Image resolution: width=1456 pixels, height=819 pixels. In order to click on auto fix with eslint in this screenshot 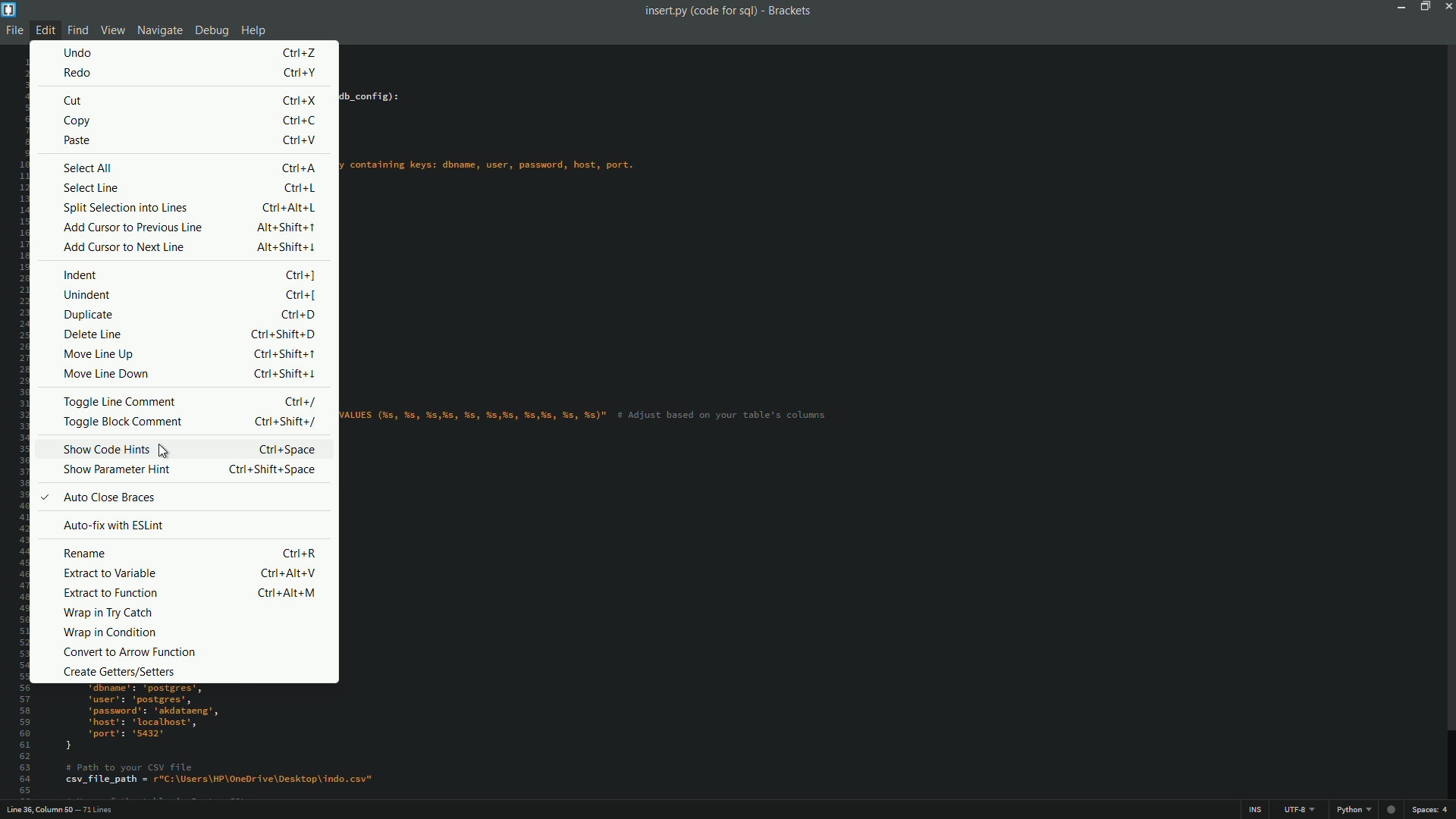, I will do `click(111, 525)`.